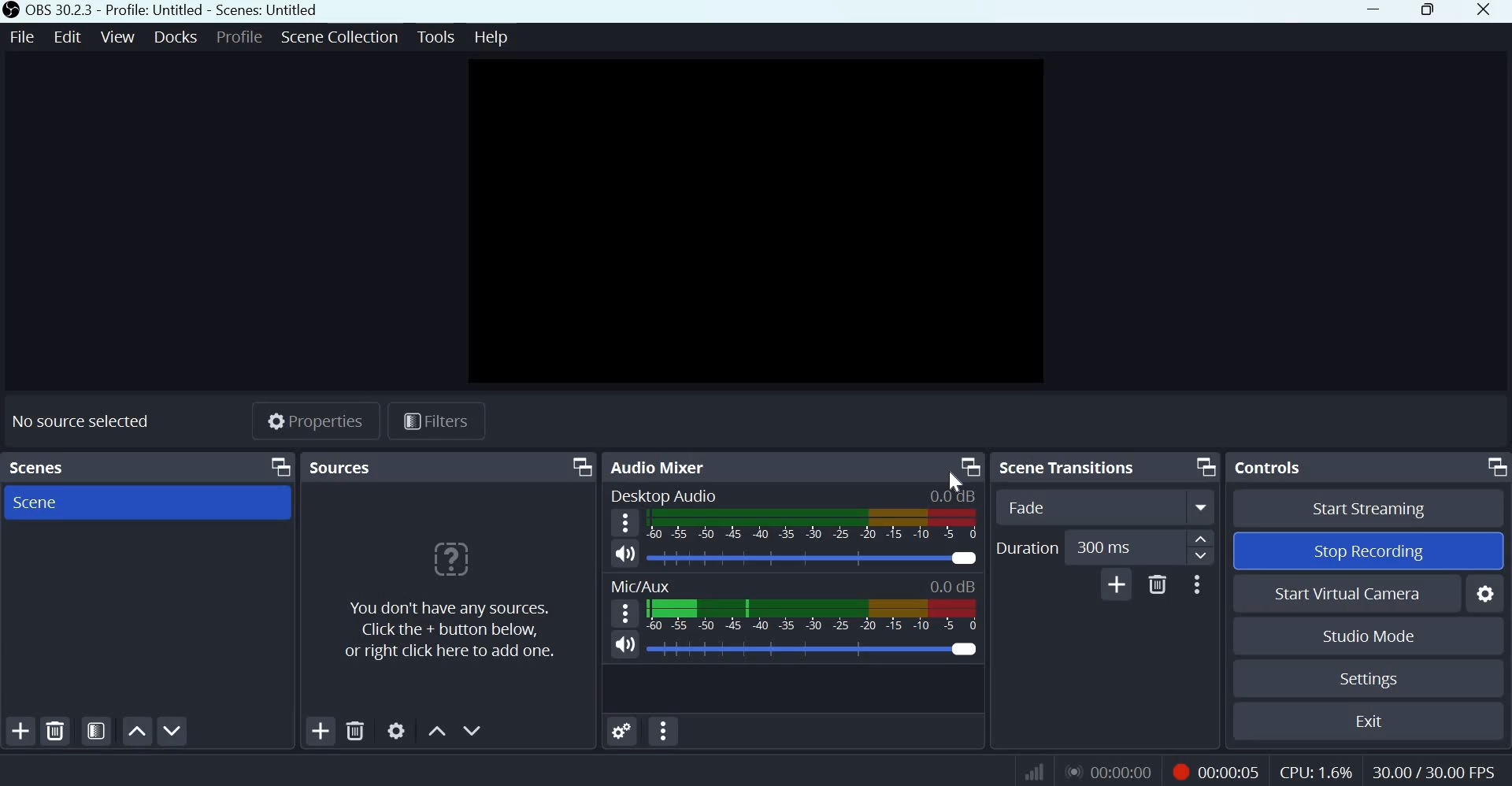 This screenshot has height=786, width=1512. I want to click on Minimize, so click(1376, 11).